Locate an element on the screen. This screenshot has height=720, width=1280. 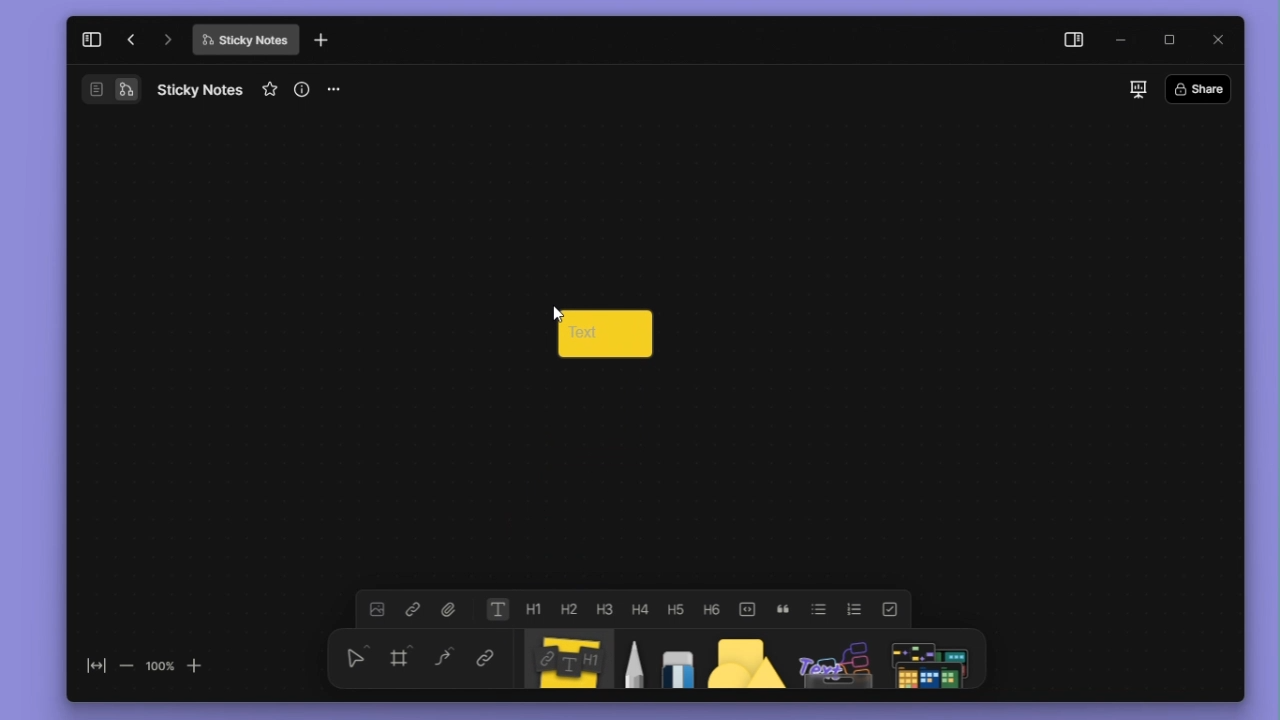
attachment is located at coordinates (451, 611).